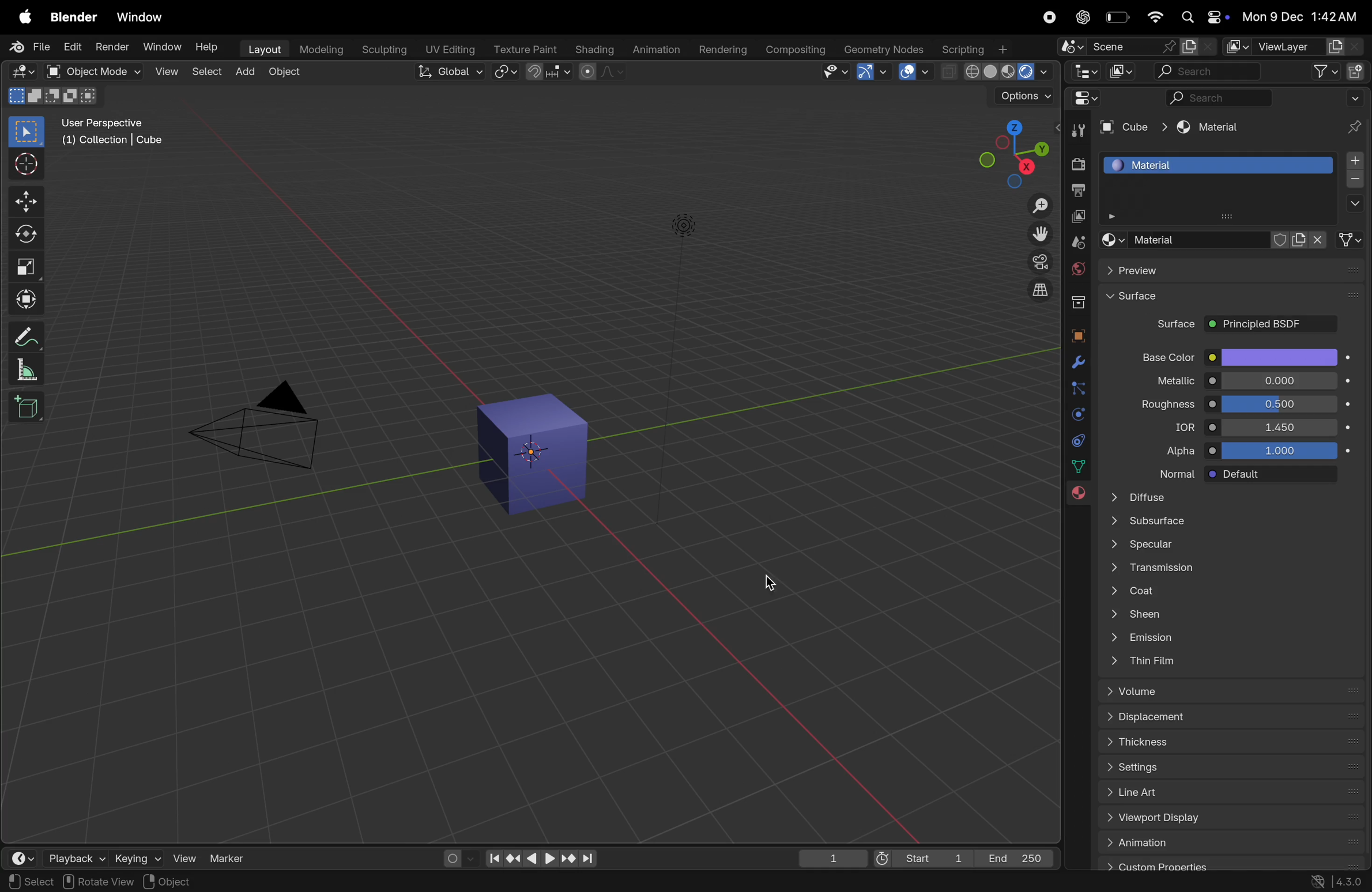 The height and width of the screenshot is (892, 1372). I want to click on add cube, so click(29, 406).